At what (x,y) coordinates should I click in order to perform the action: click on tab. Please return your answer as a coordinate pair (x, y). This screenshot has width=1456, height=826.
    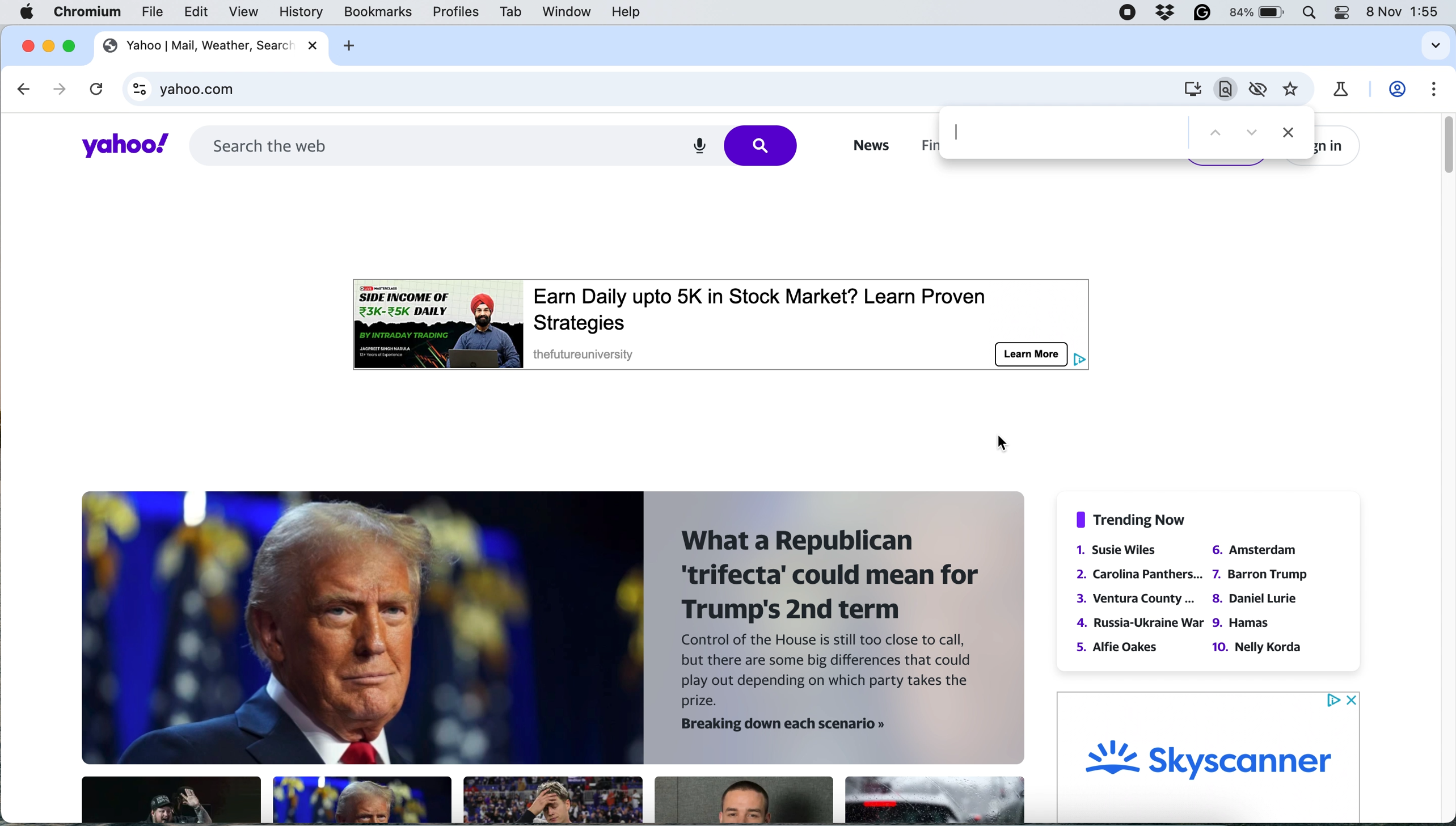
    Looking at the image, I should click on (513, 11).